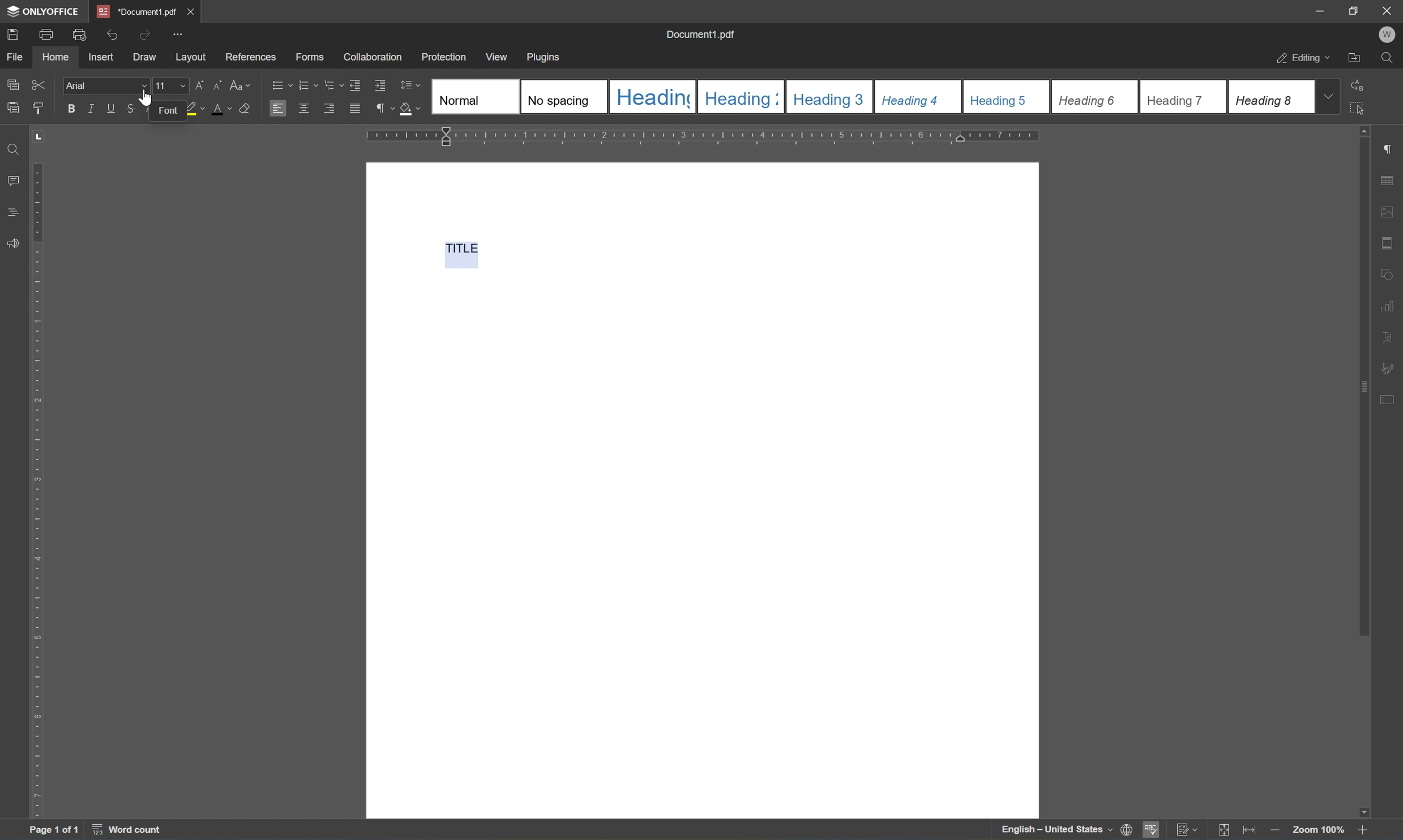 Image resolution: width=1403 pixels, height=840 pixels. Describe the element at coordinates (84, 87) in the screenshot. I see `Arial` at that location.